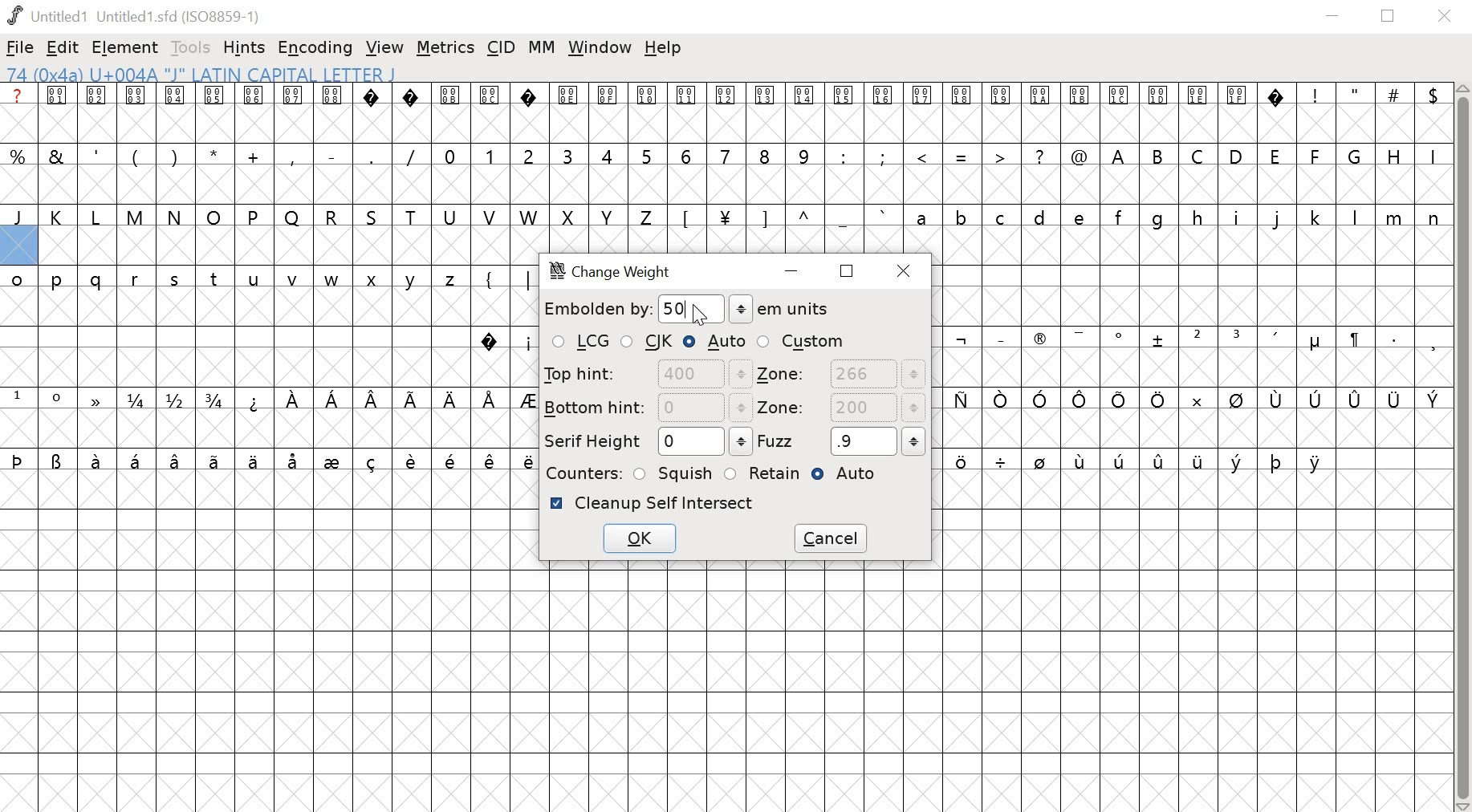 The image size is (1472, 812). I want to click on SERIF HEIGHT, so click(645, 442).